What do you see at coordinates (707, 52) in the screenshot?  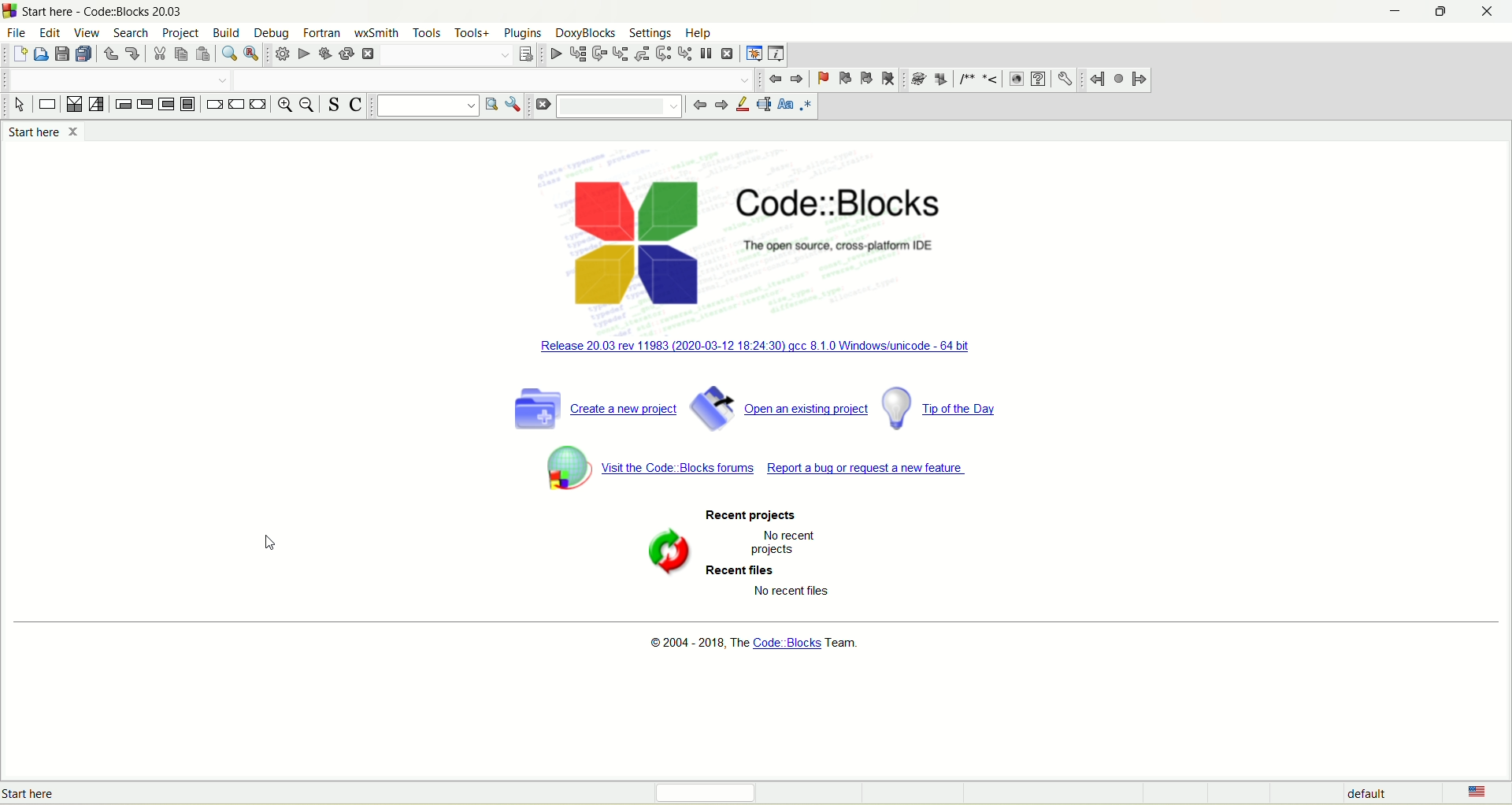 I see `break debugging` at bounding box center [707, 52].